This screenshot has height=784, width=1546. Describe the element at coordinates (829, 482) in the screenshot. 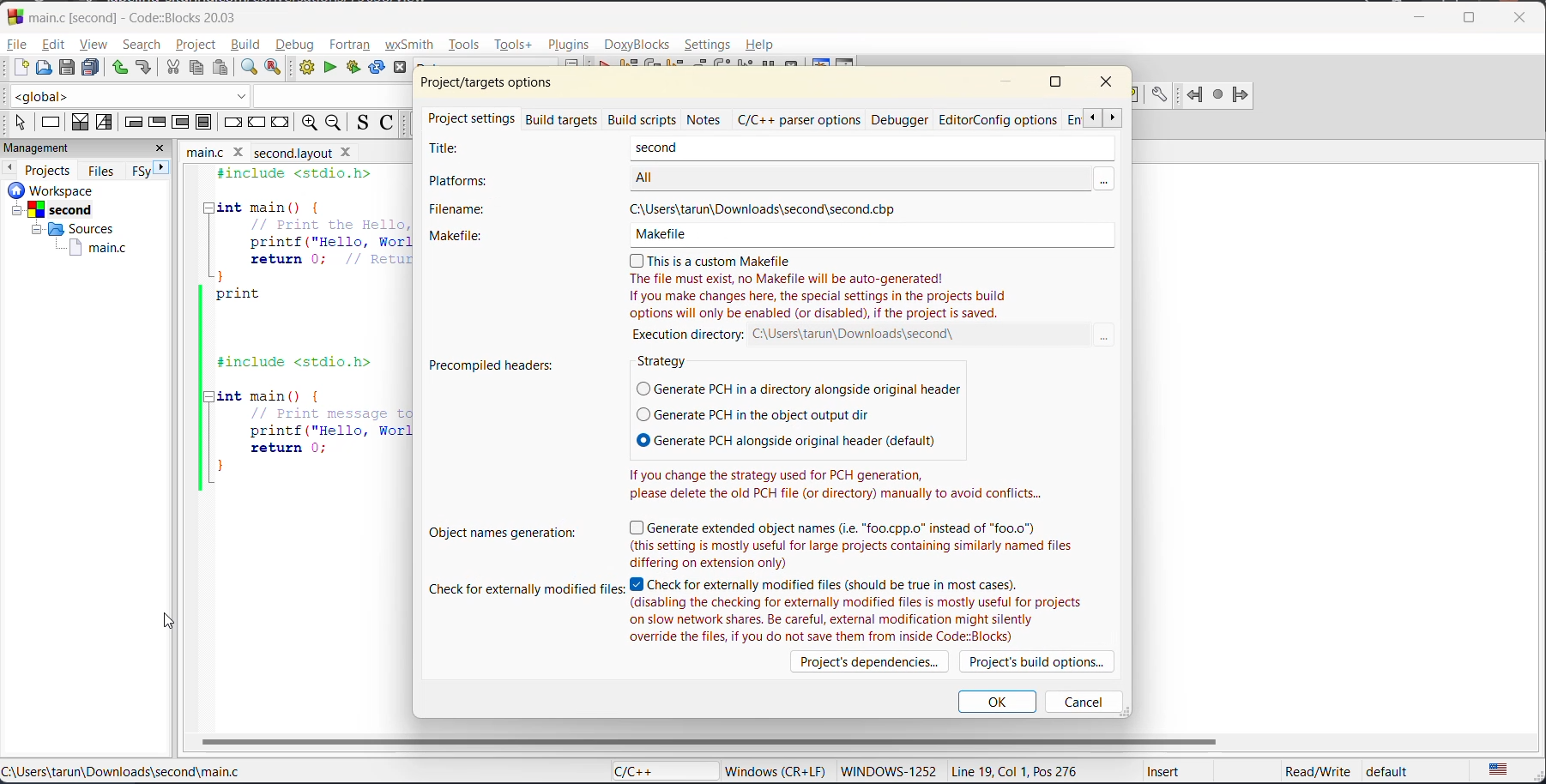

I see `If you change the strategy used for PCH generation,
please delete the old PCH file (or directory) manually to avoid conflicts...` at that location.